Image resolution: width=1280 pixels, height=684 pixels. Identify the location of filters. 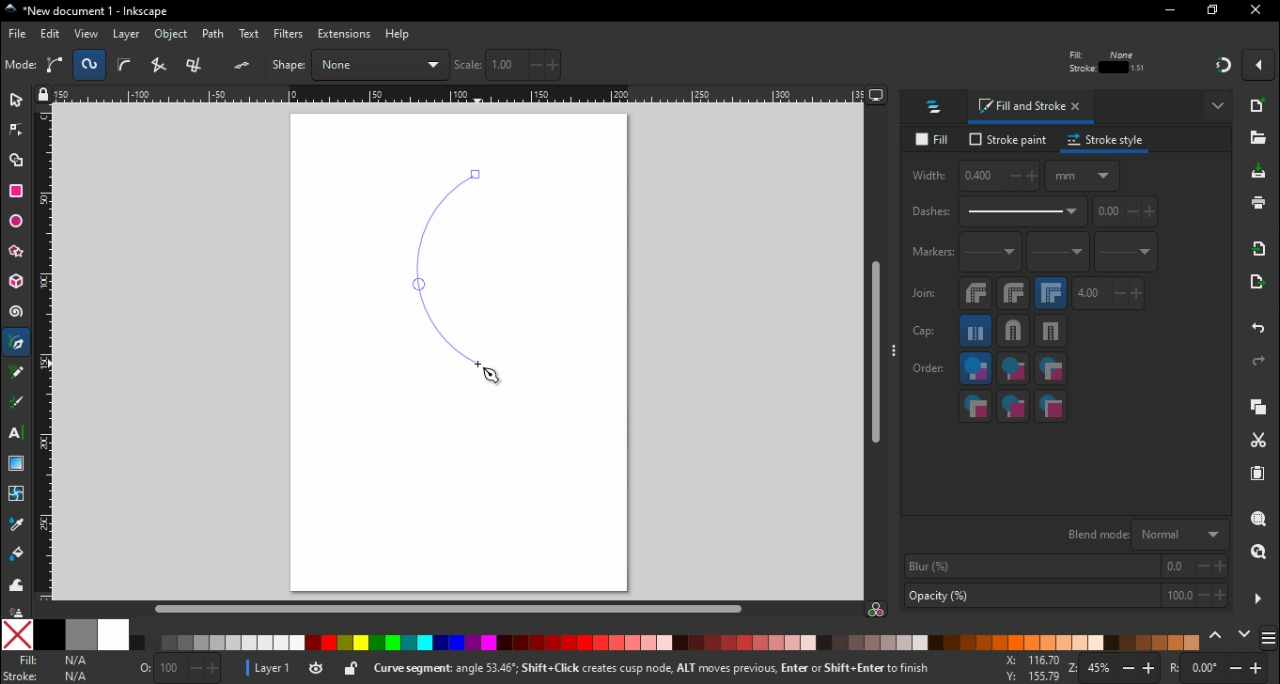
(289, 34).